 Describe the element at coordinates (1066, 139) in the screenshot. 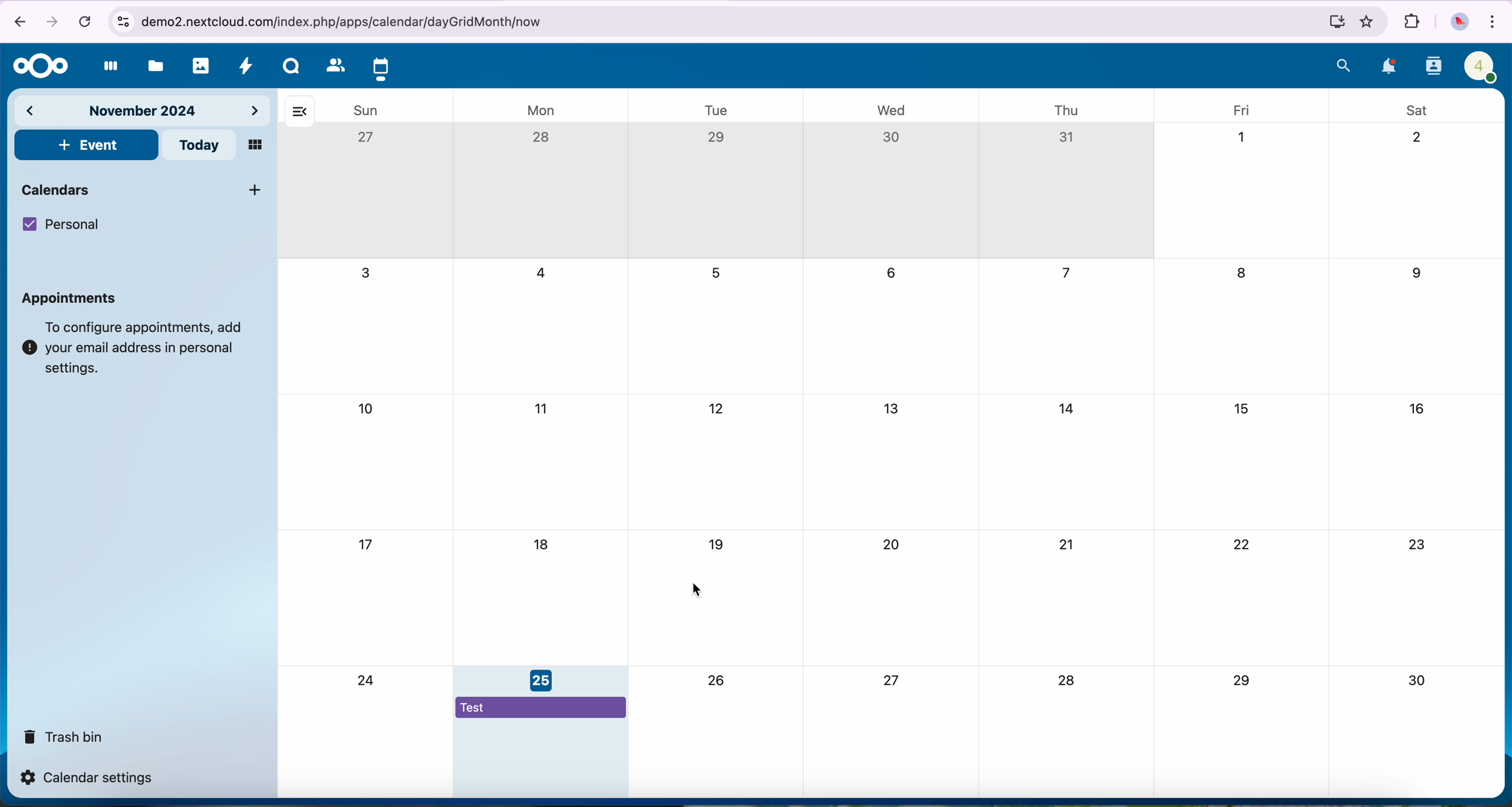

I see `31` at that location.